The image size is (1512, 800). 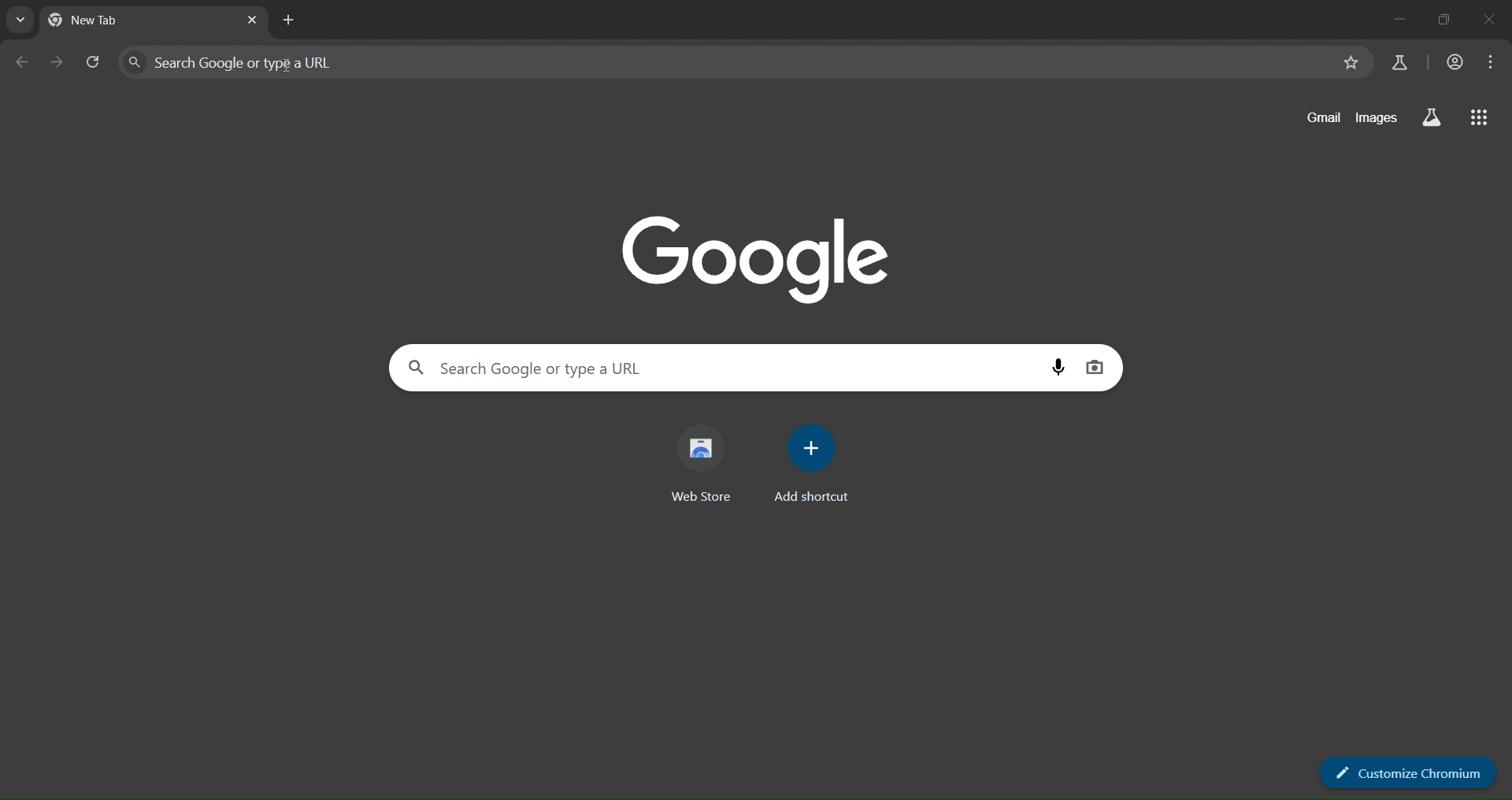 What do you see at coordinates (1482, 120) in the screenshot?
I see `google apps` at bounding box center [1482, 120].